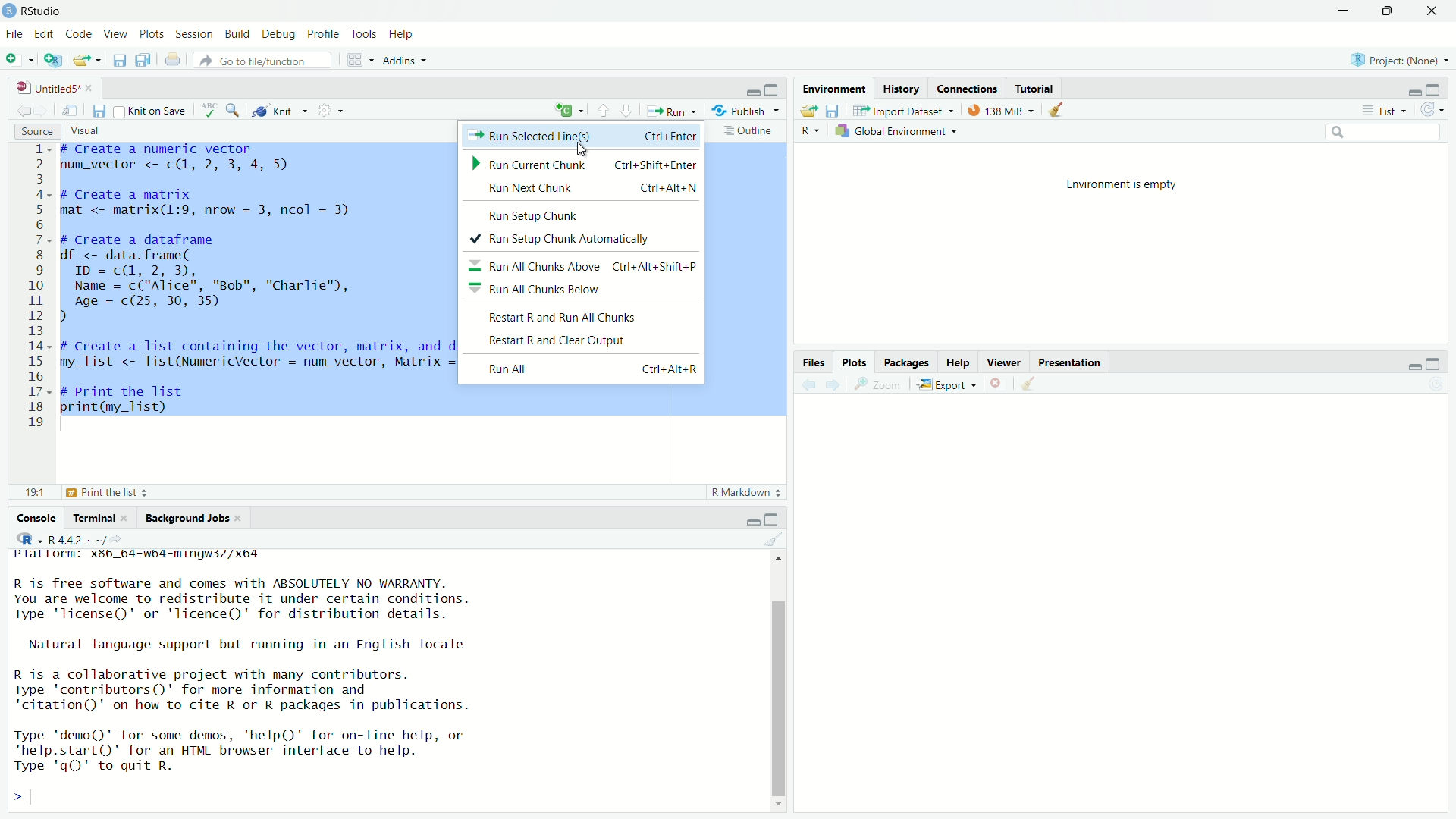 Image resolution: width=1456 pixels, height=819 pixels. I want to click on File, so click(14, 33).